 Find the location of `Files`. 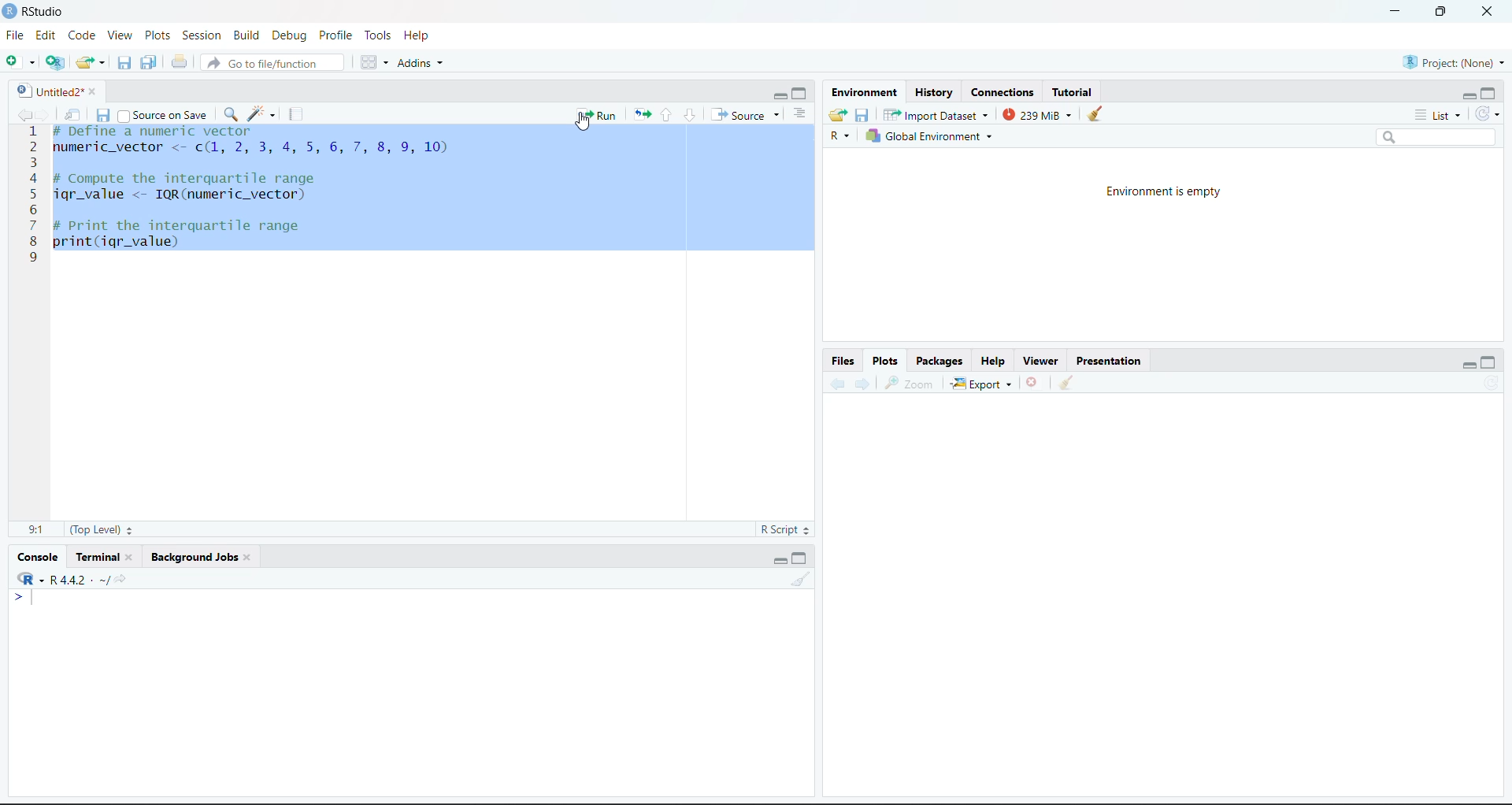

Files is located at coordinates (843, 359).